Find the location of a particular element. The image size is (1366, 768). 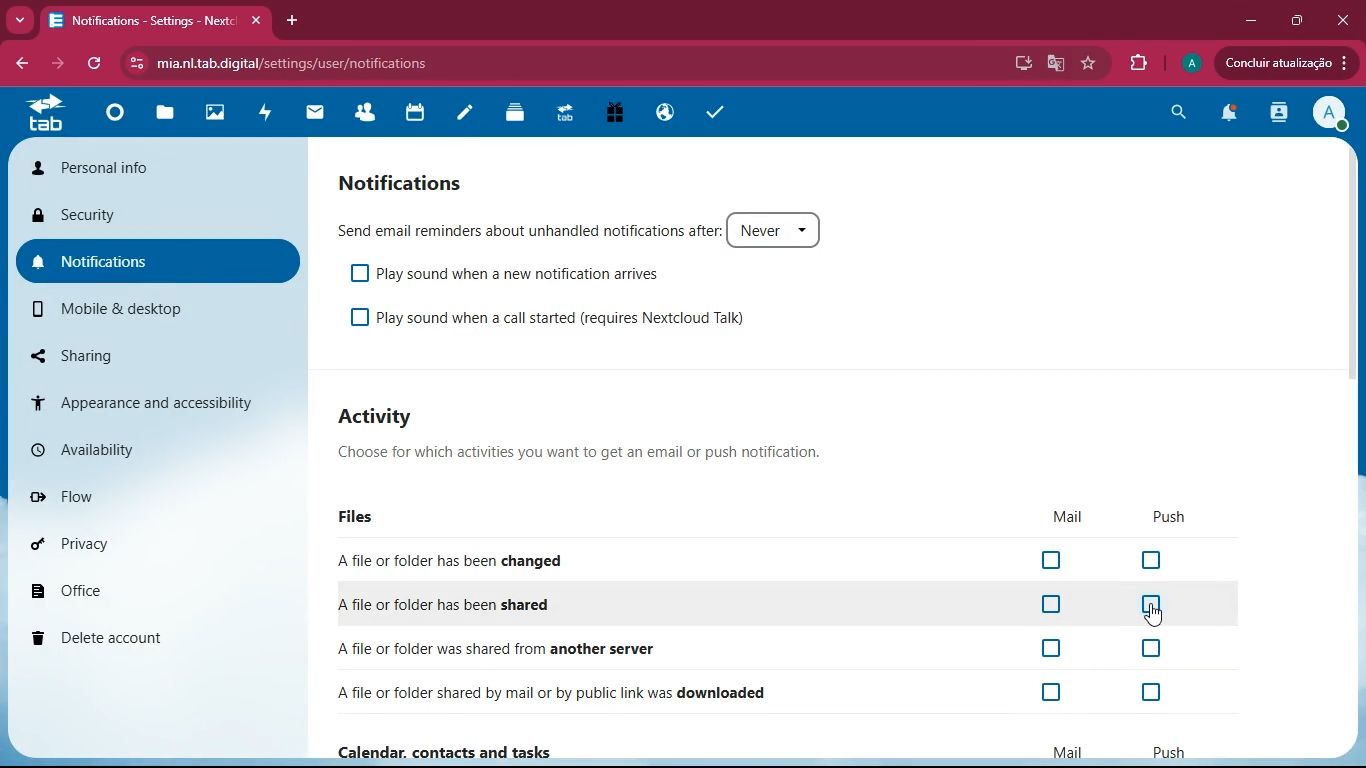

files is located at coordinates (364, 518).